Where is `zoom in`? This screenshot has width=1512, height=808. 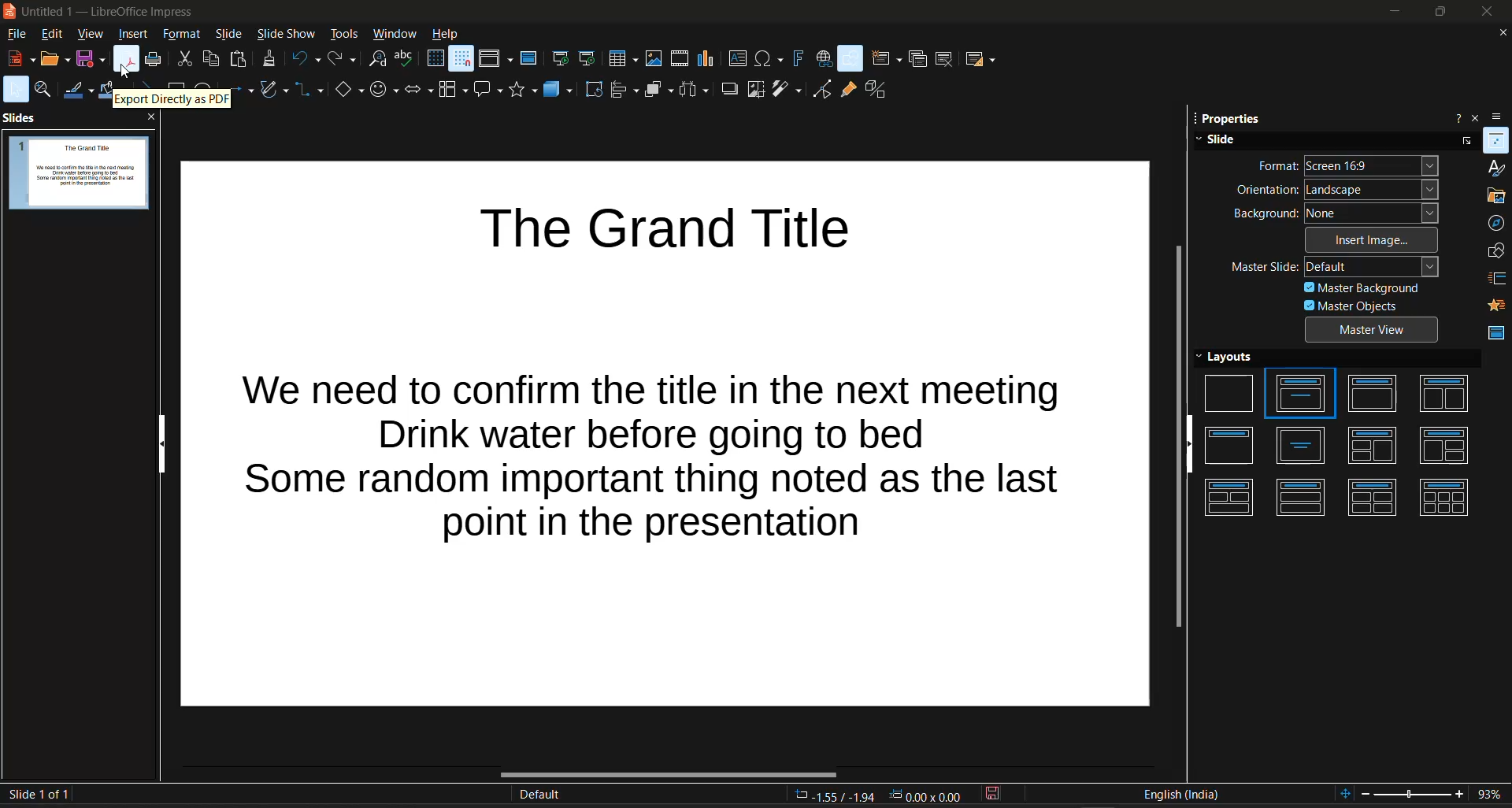 zoom in is located at coordinates (1462, 795).